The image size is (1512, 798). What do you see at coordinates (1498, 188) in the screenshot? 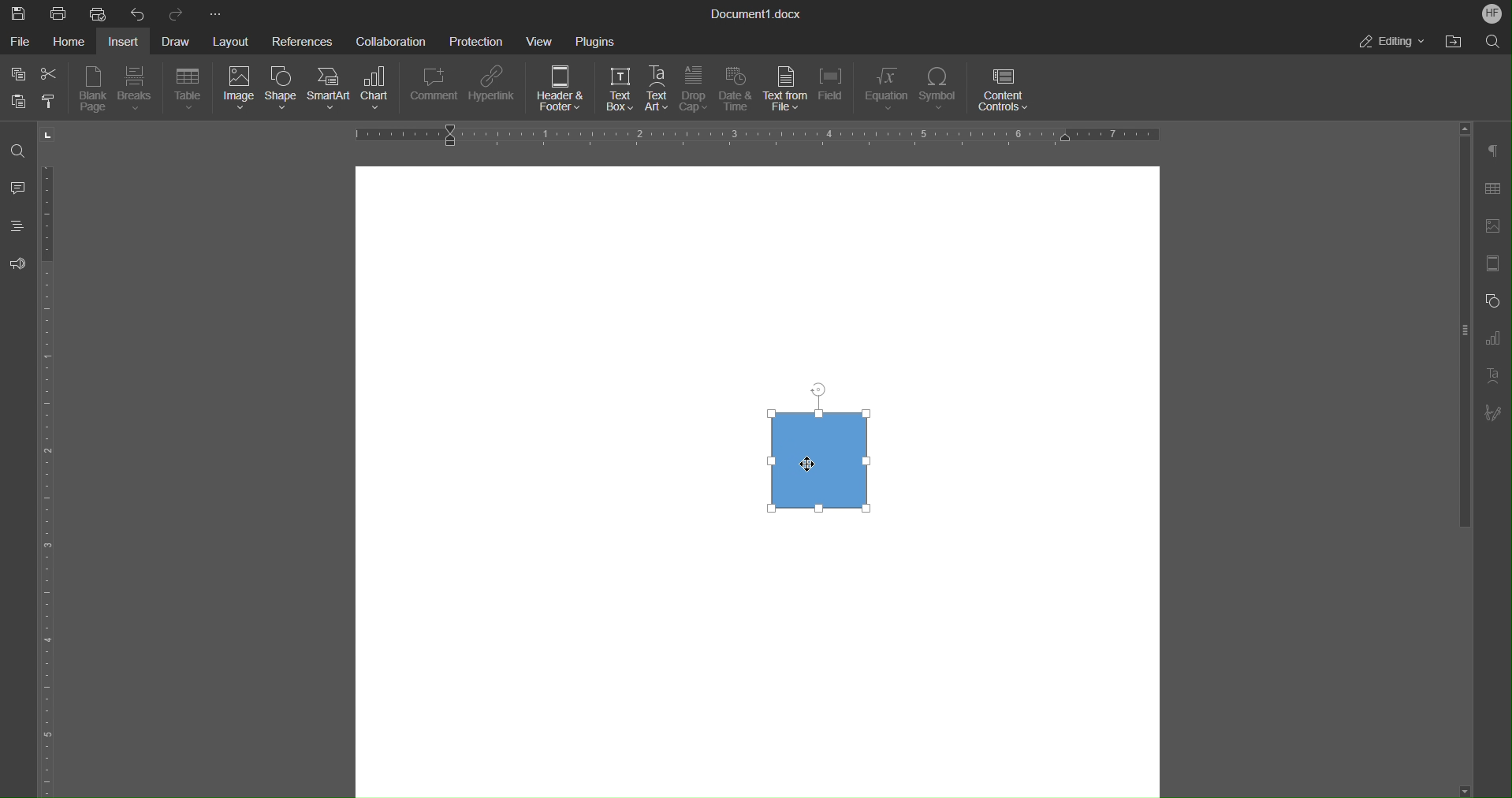
I see `Tables` at bounding box center [1498, 188].